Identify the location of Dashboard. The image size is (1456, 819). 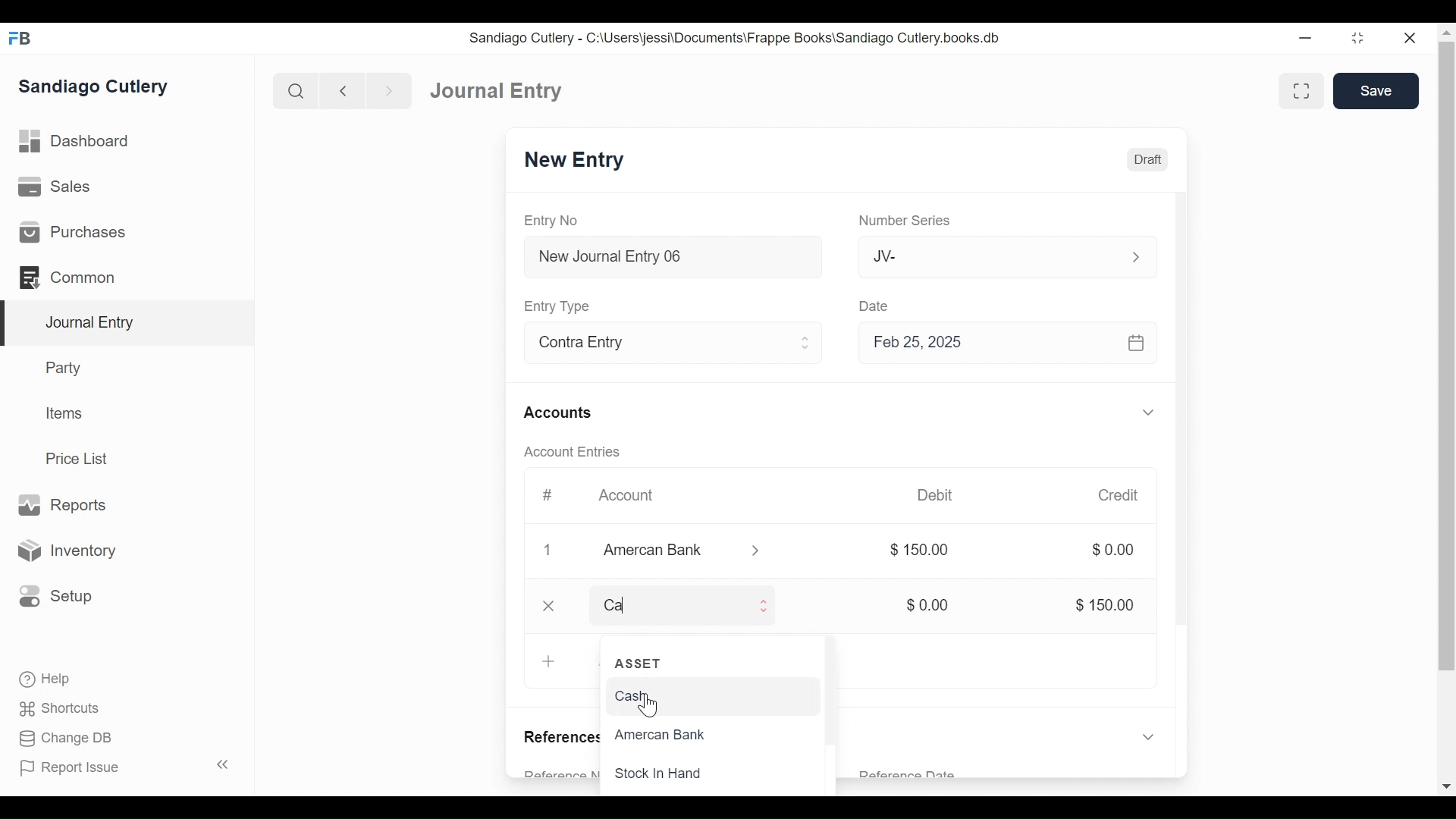
(76, 142).